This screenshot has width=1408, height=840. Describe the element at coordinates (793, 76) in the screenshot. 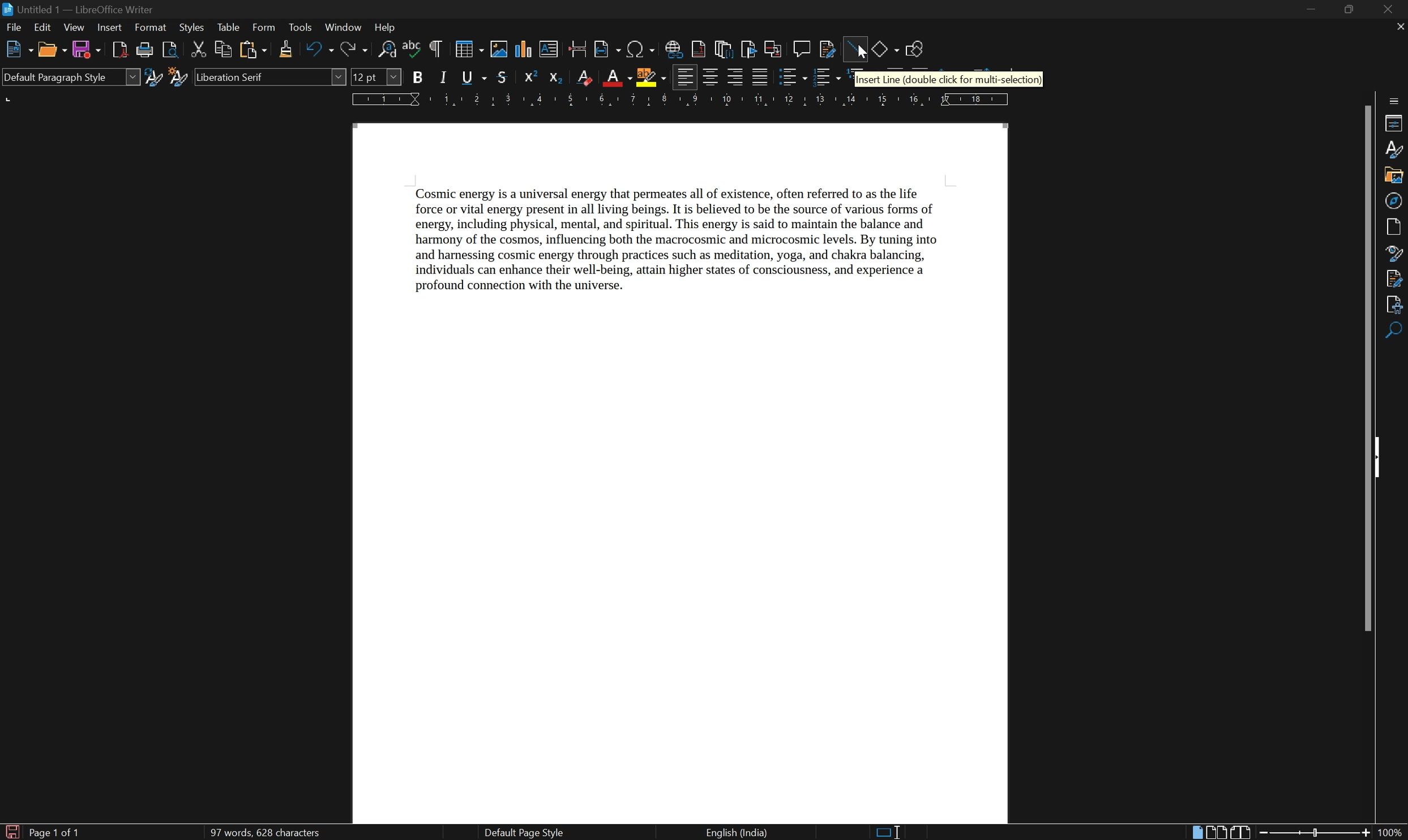

I see `toggle unordered list` at that location.